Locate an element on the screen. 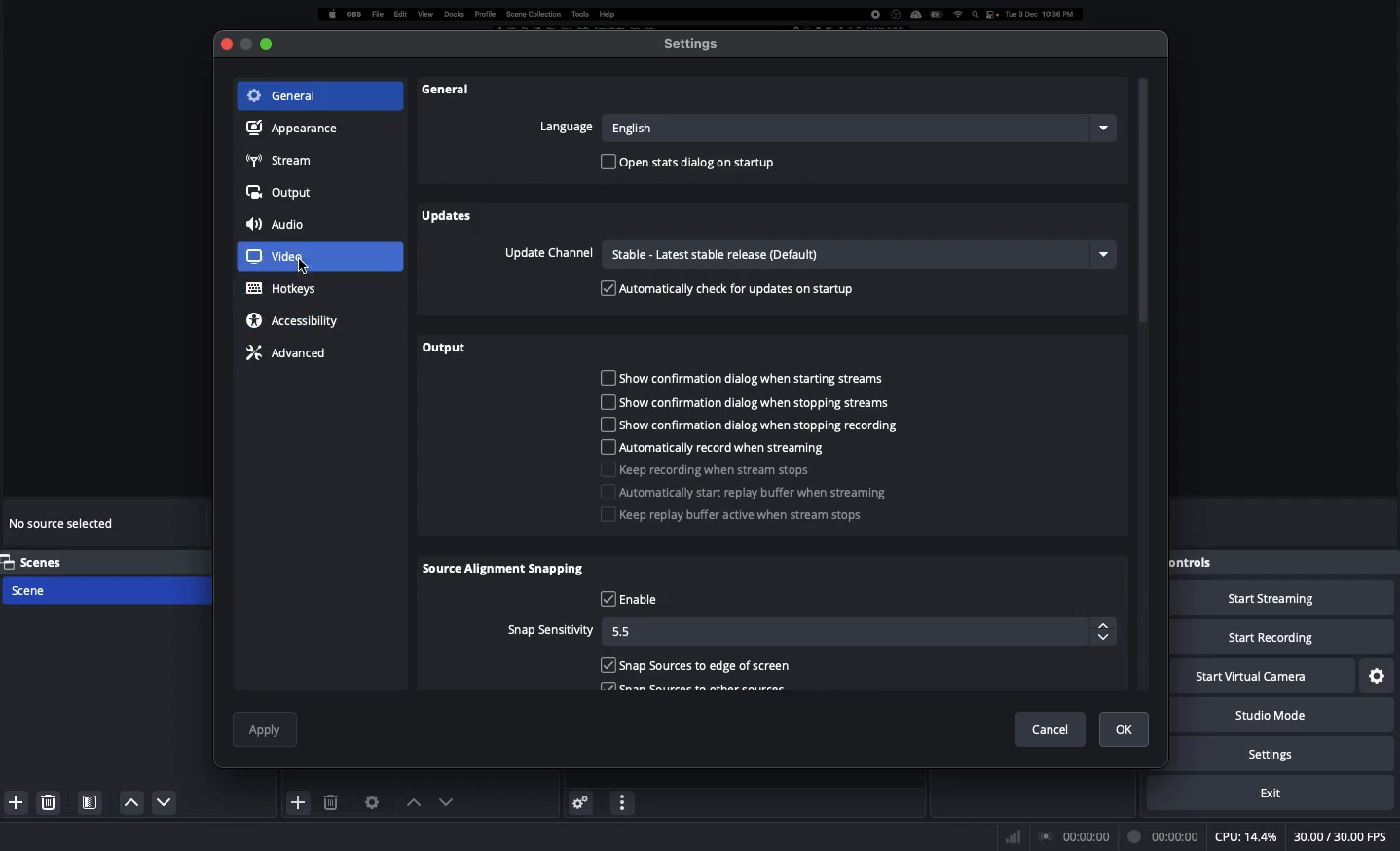  Remove is located at coordinates (1083, 660).